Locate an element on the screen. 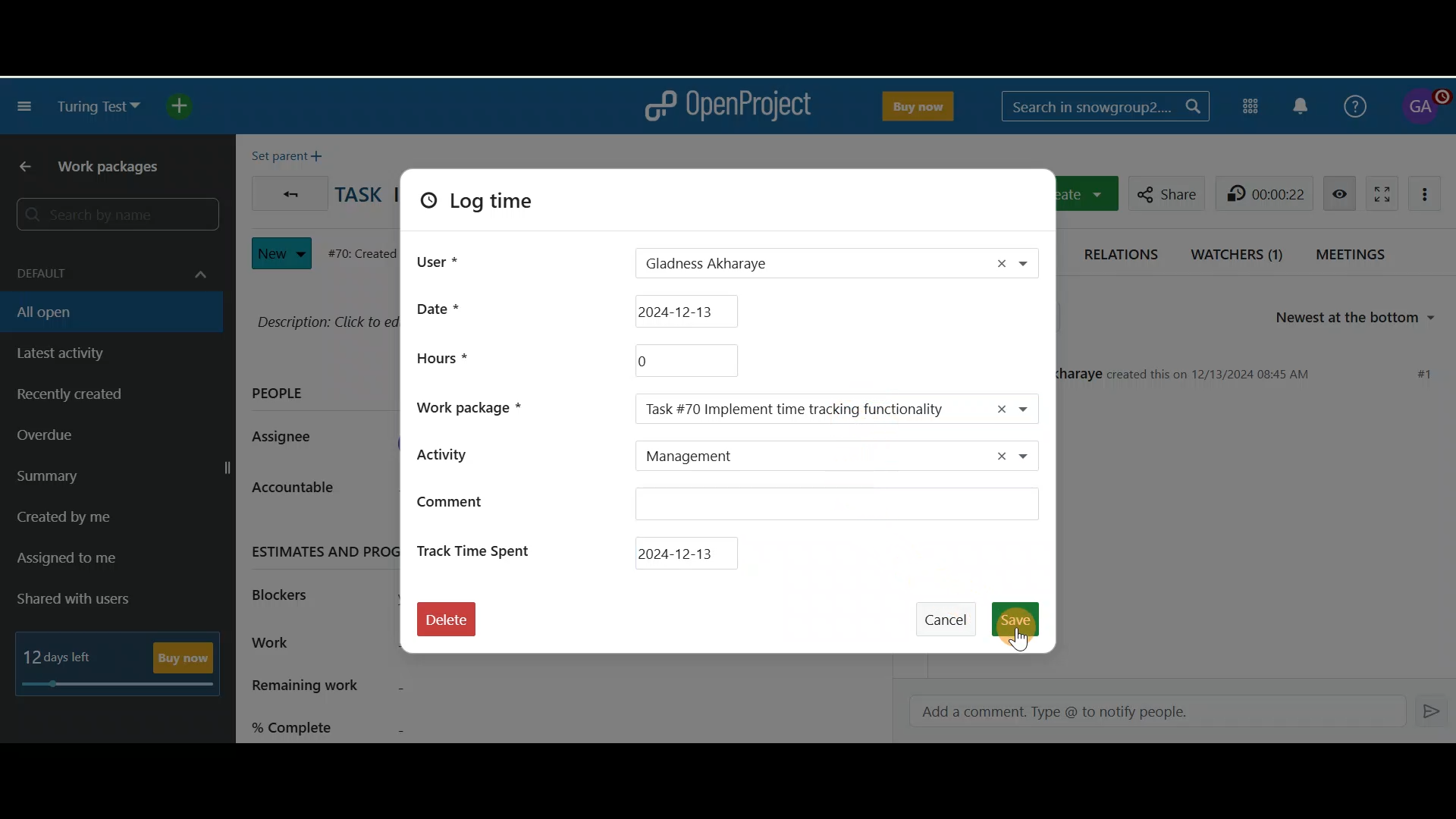 This screenshot has height=819, width=1456. % complete is located at coordinates (404, 724).